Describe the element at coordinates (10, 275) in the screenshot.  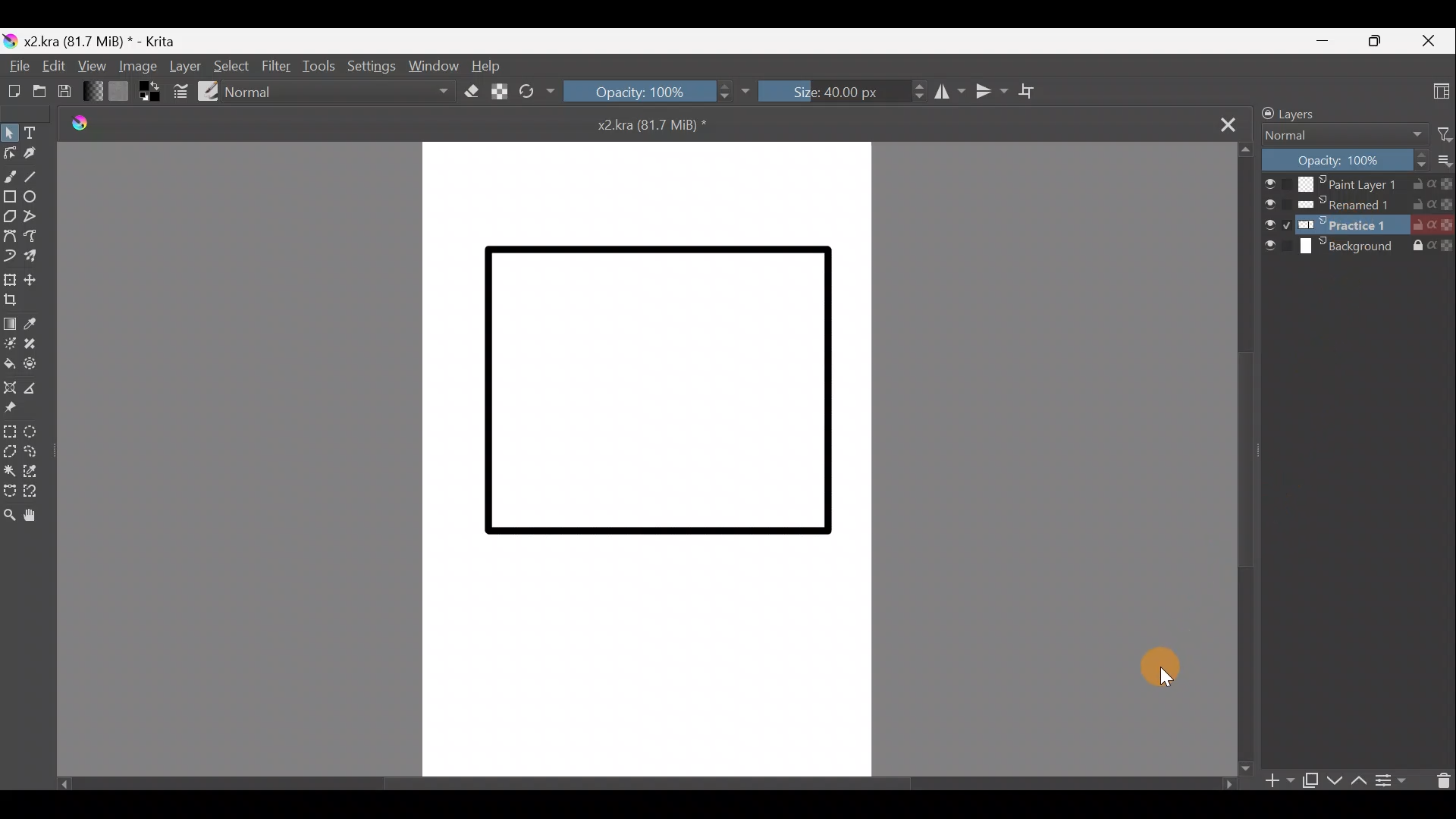
I see `Transform a layer/selection` at that location.